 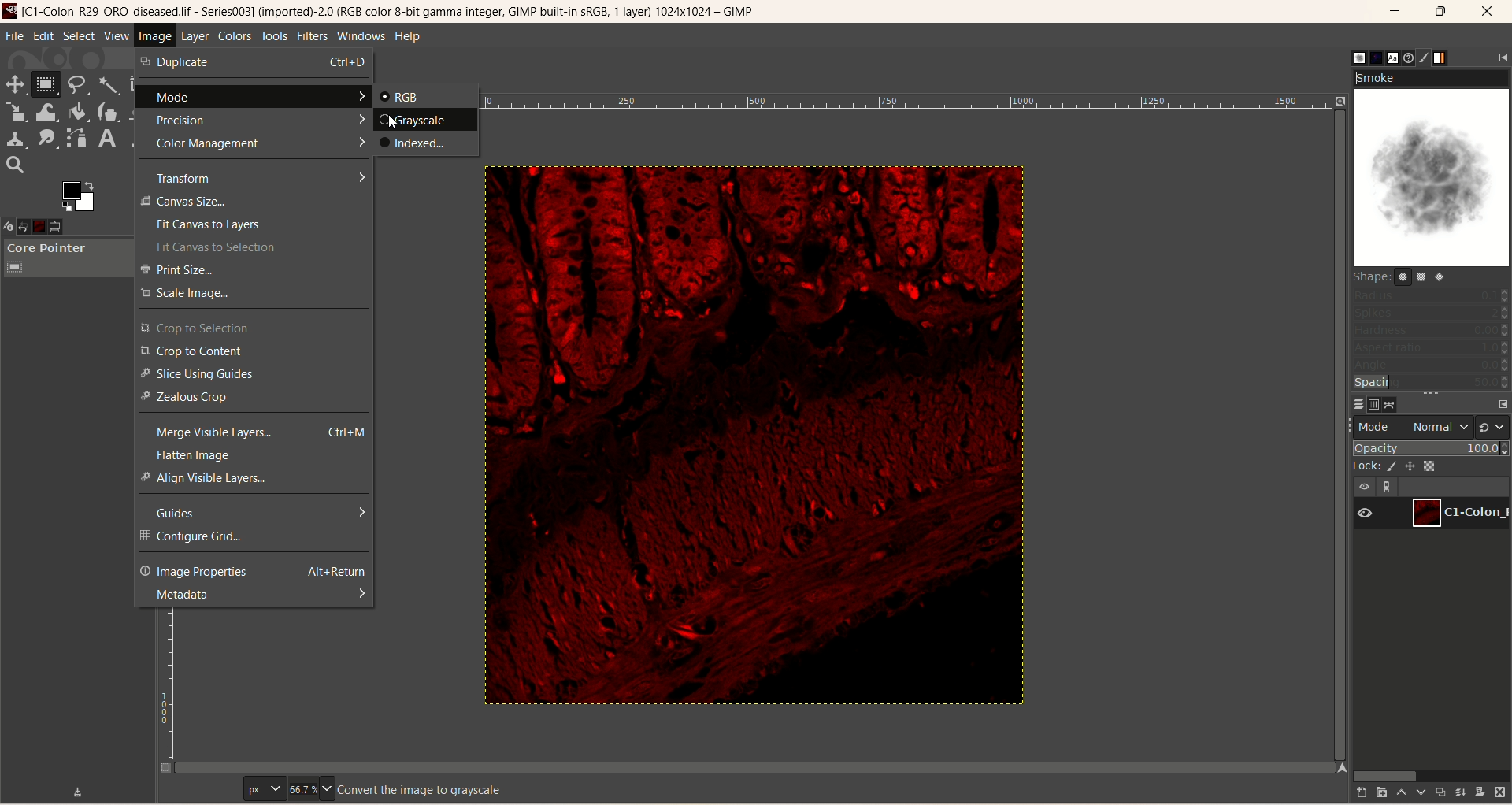 What do you see at coordinates (415, 143) in the screenshot?
I see `indexed` at bounding box center [415, 143].